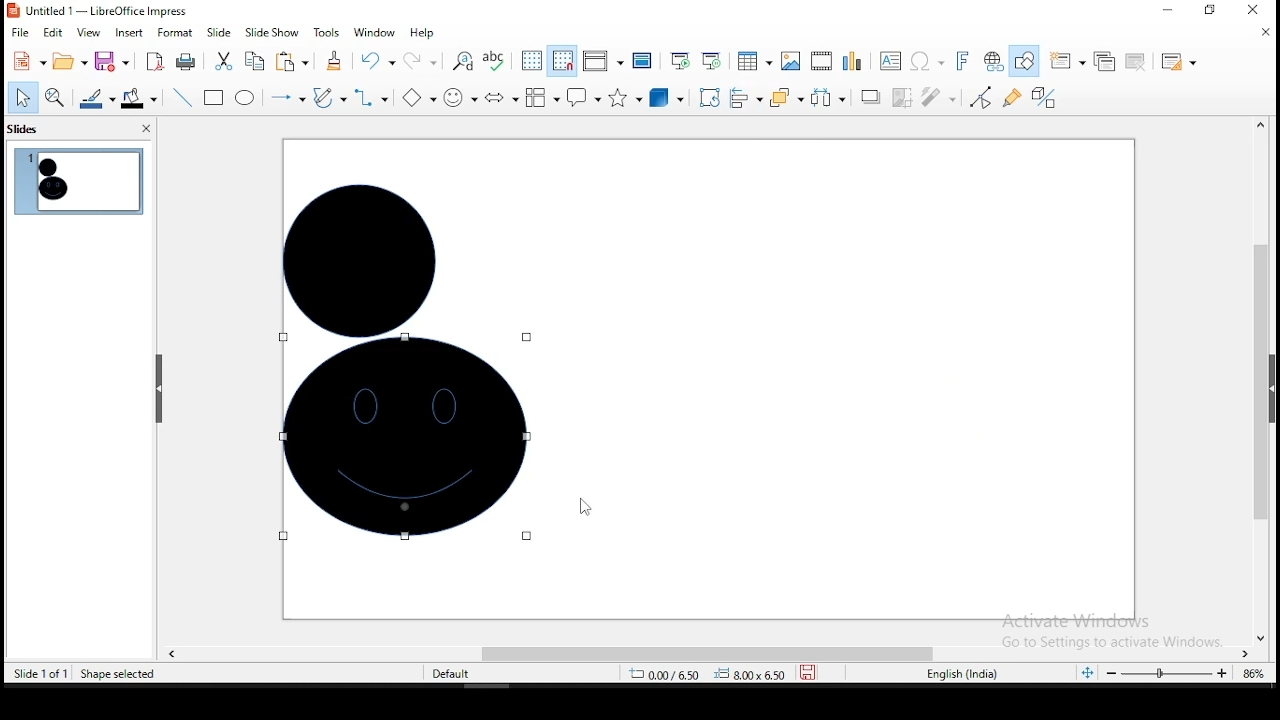  Describe the element at coordinates (98, 11) in the screenshot. I see `icon and filename` at that location.